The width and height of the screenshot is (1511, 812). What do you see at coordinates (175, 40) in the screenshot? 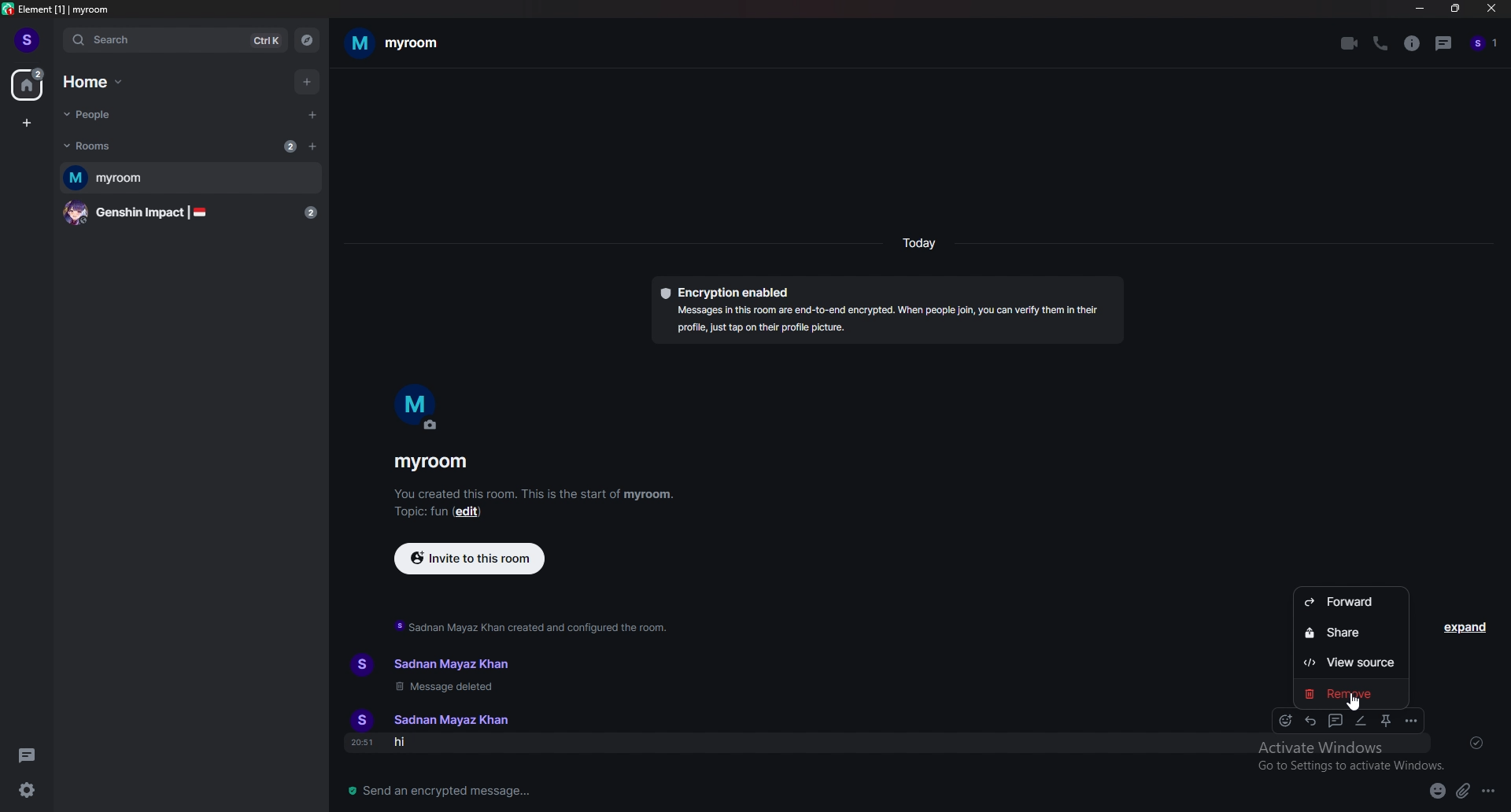
I see `search ` at bounding box center [175, 40].